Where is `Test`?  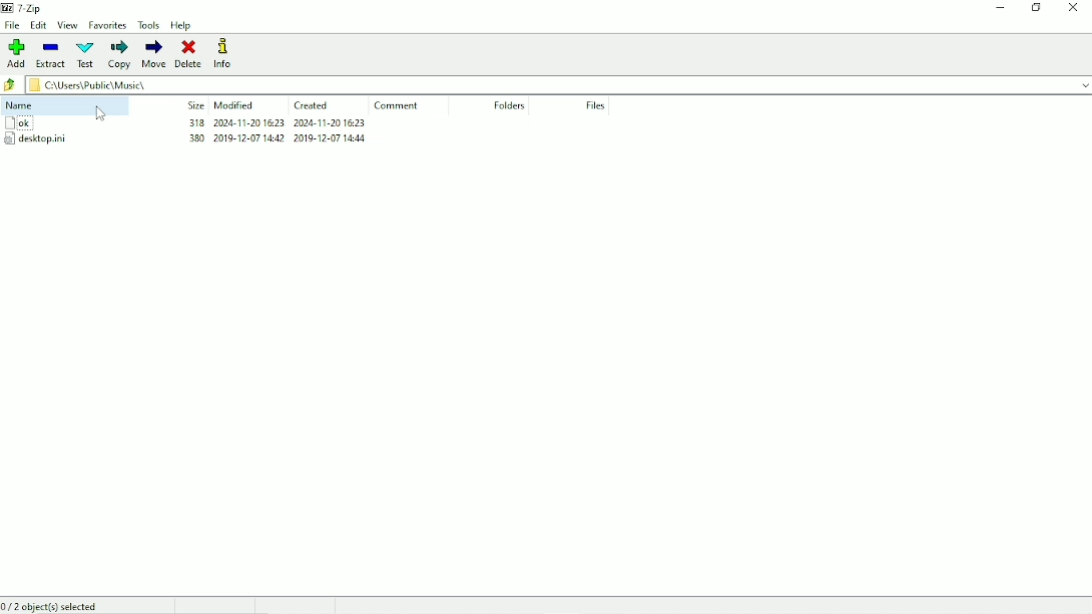 Test is located at coordinates (86, 54).